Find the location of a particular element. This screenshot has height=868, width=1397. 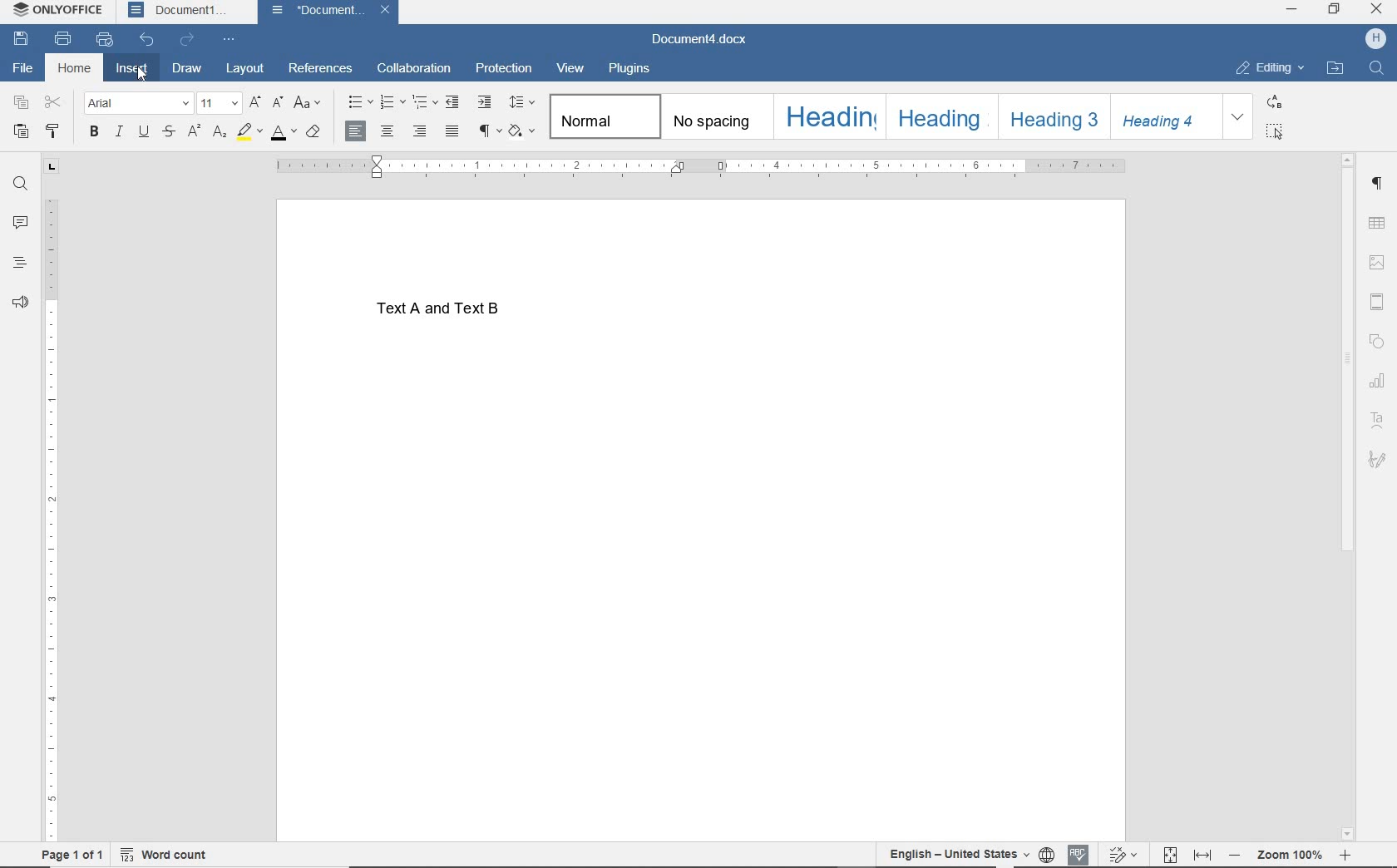

UNDO is located at coordinates (148, 40).